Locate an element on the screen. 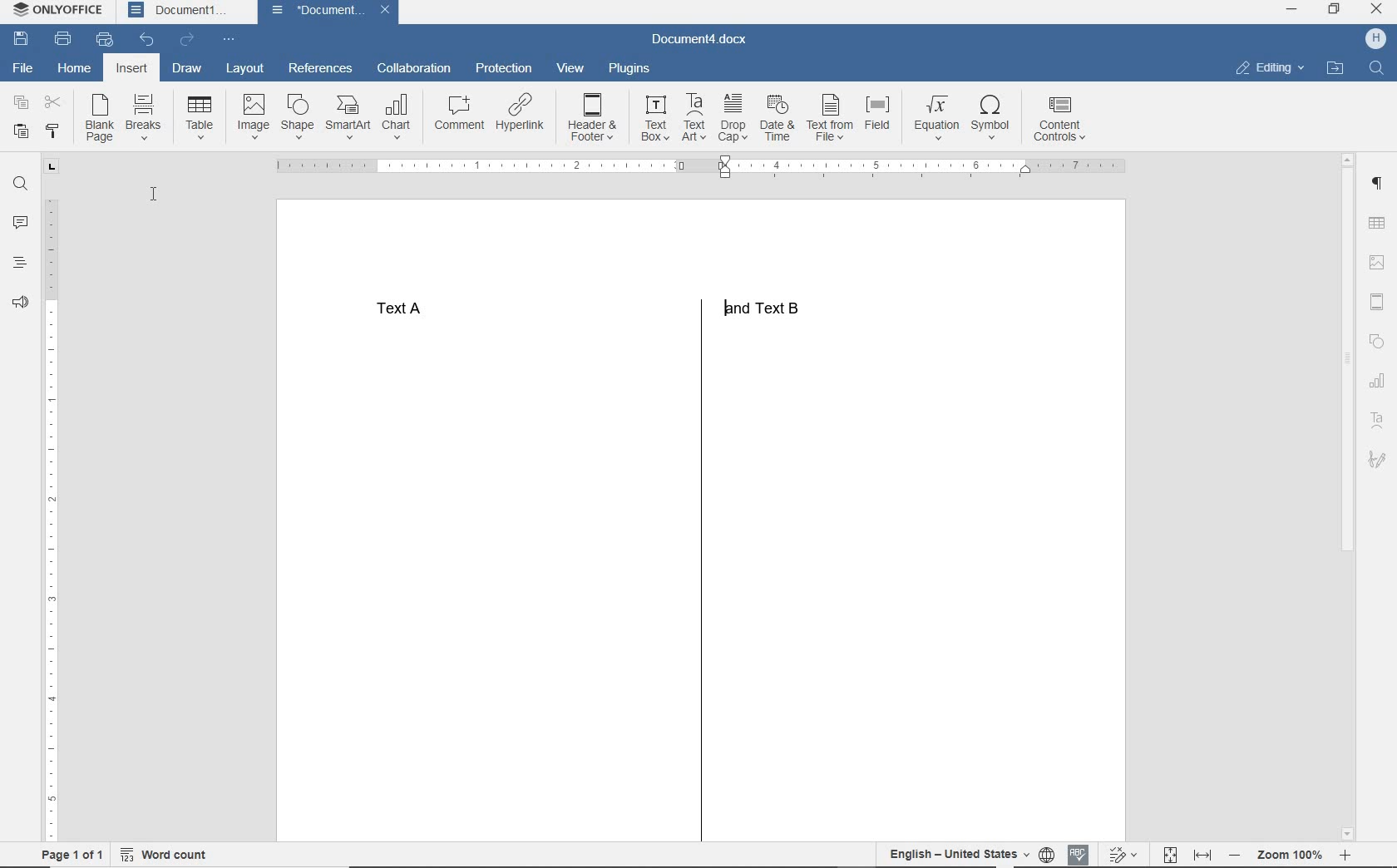  CONTENT CONTROLS is located at coordinates (1062, 117).